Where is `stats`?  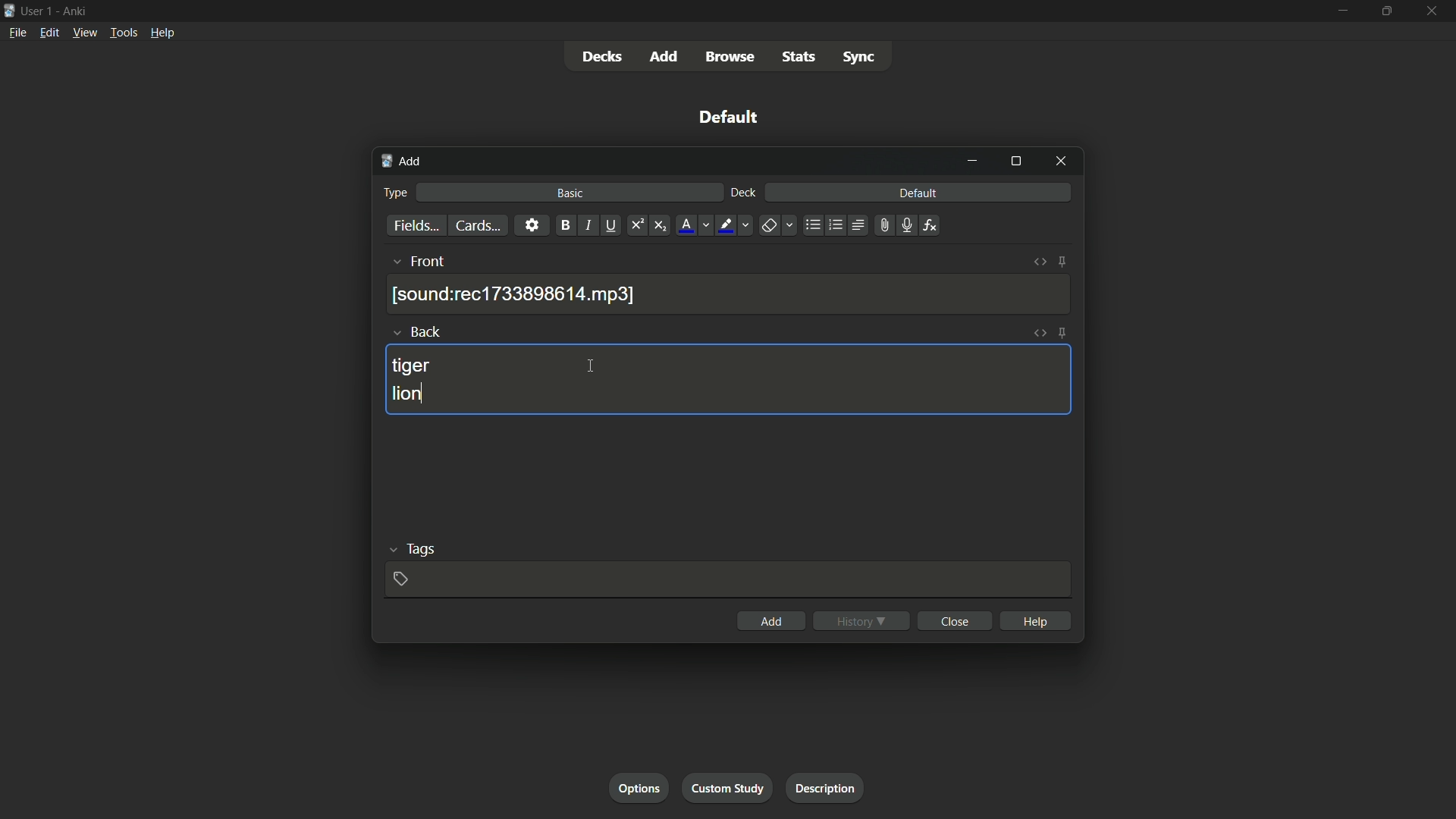 stats is located at coordinates (802, 58).